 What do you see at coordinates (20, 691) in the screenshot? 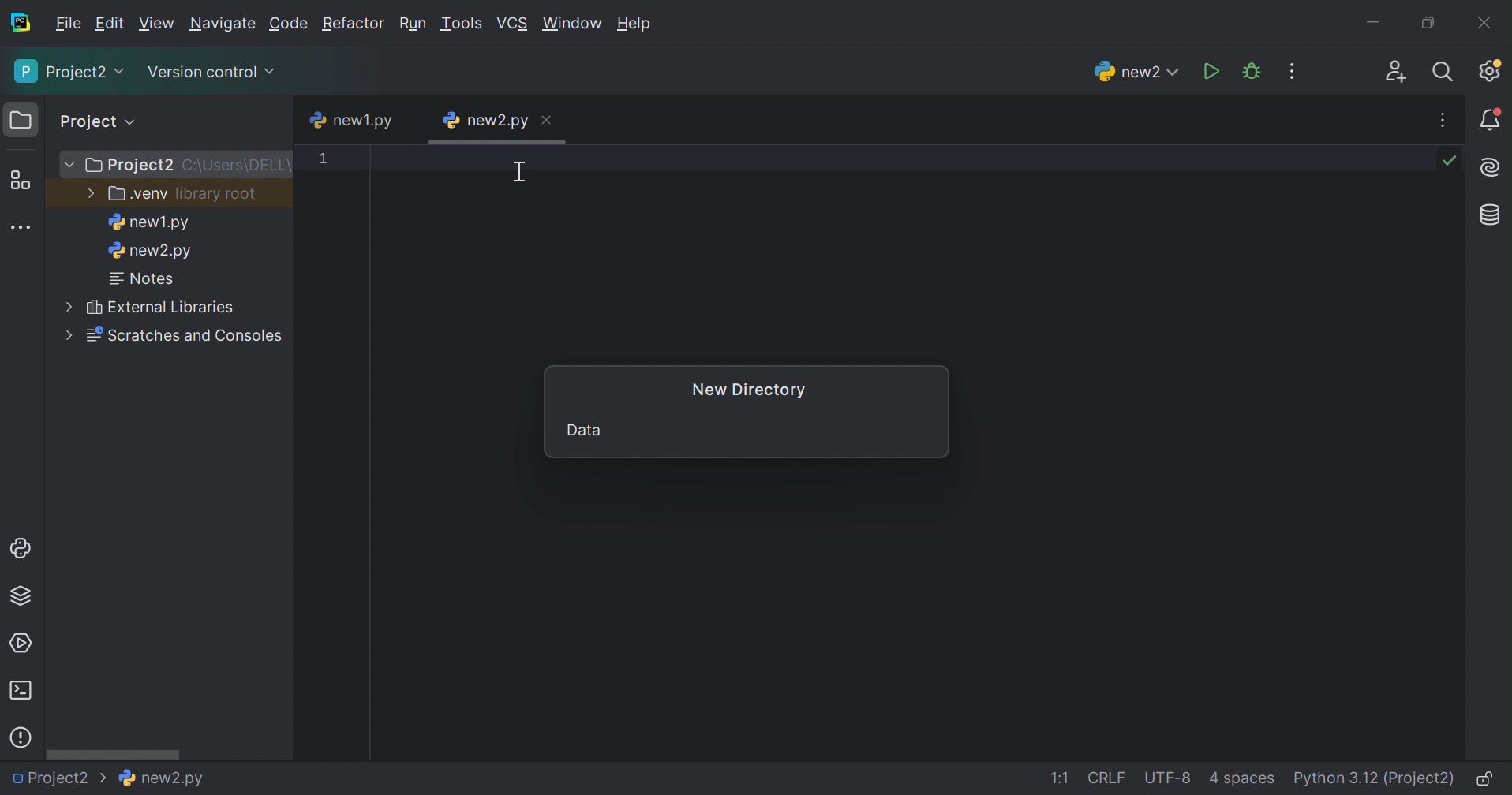
I see `Terminal` at bounding box center [20, 691].